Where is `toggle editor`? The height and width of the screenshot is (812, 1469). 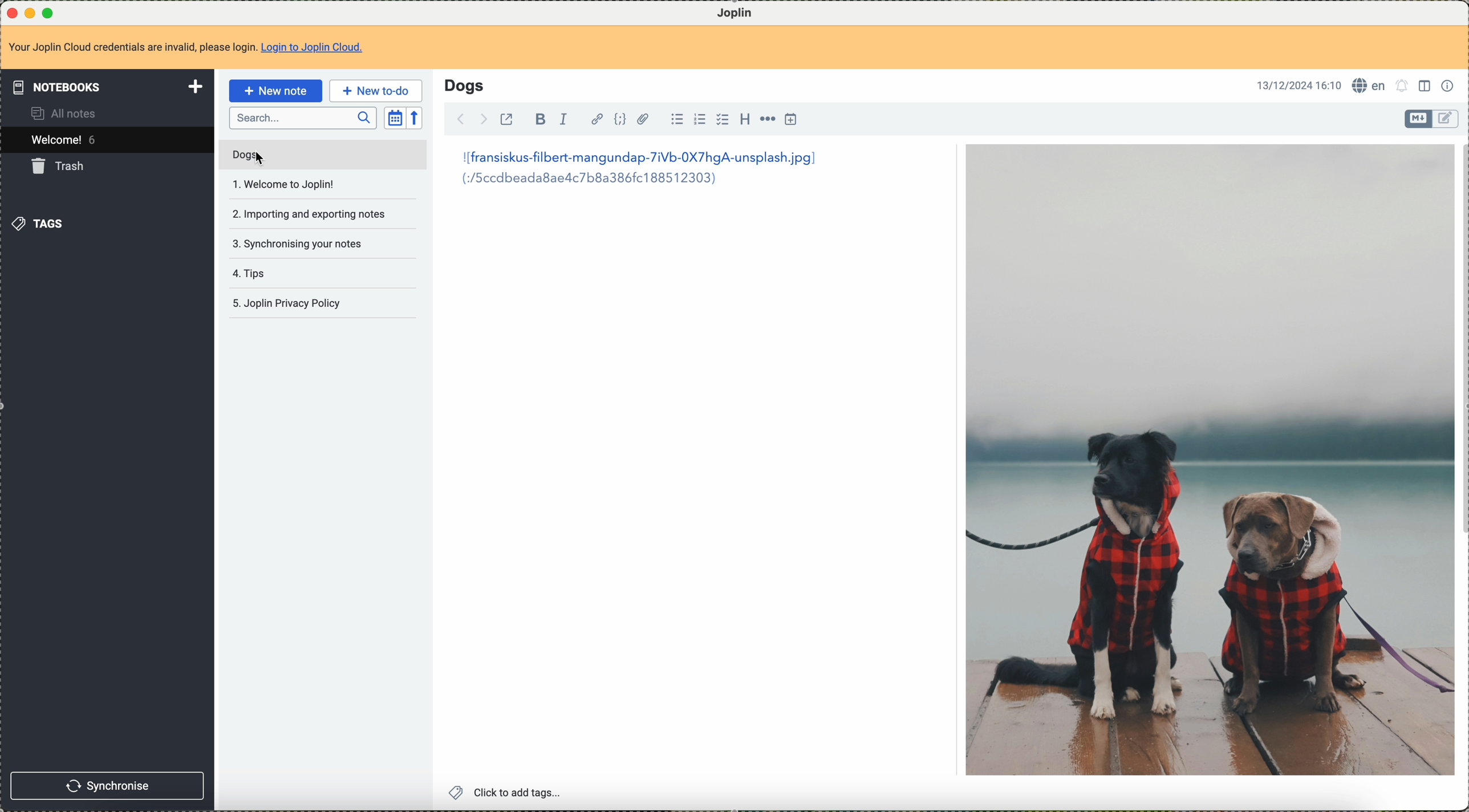
toggle editor is located at coordinates (1418, 119).